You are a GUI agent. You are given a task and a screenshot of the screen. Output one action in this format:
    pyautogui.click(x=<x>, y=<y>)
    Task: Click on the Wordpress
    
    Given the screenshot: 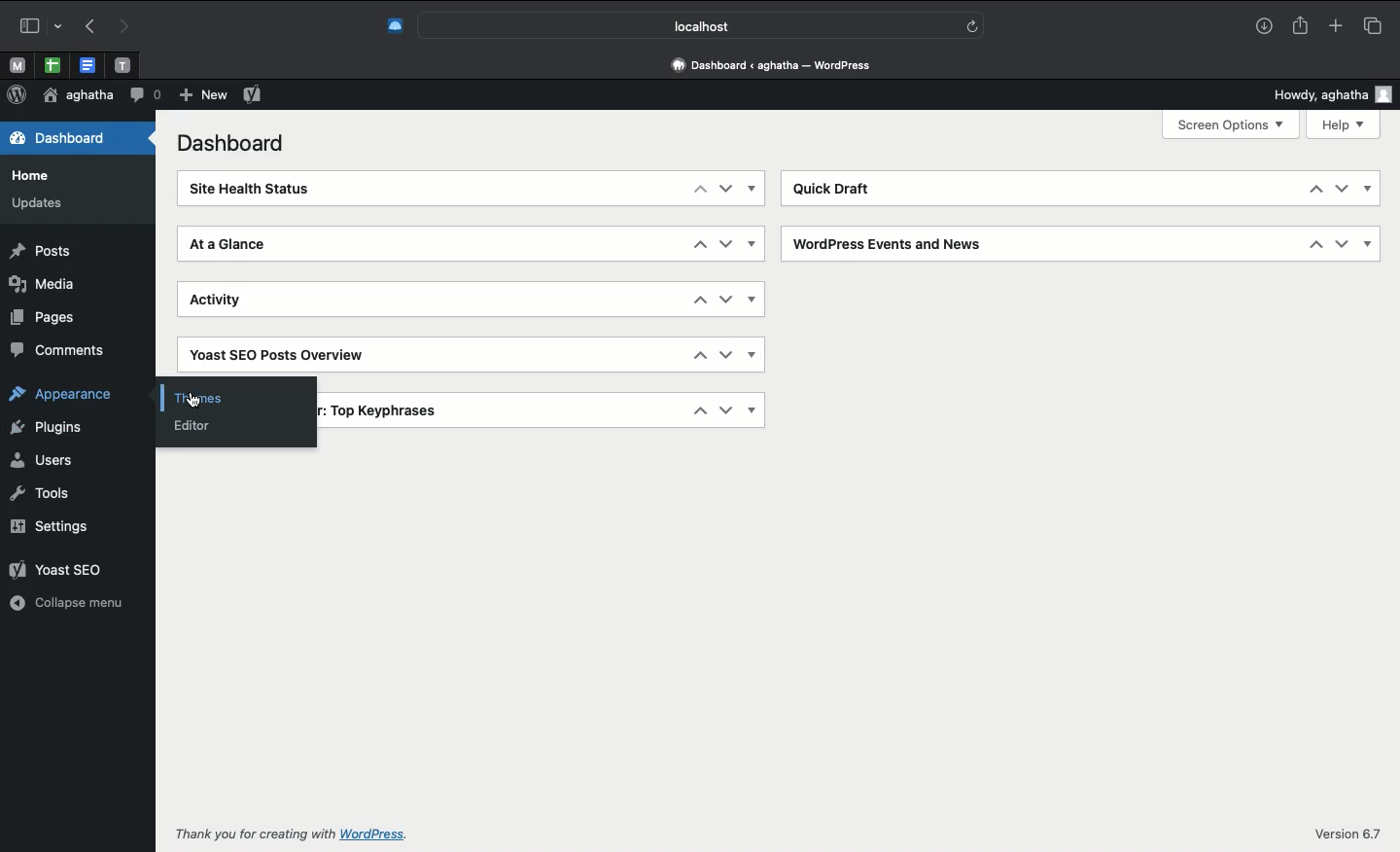 What is the action you would take?
    pyautogui.click(x=17, y=95)
    